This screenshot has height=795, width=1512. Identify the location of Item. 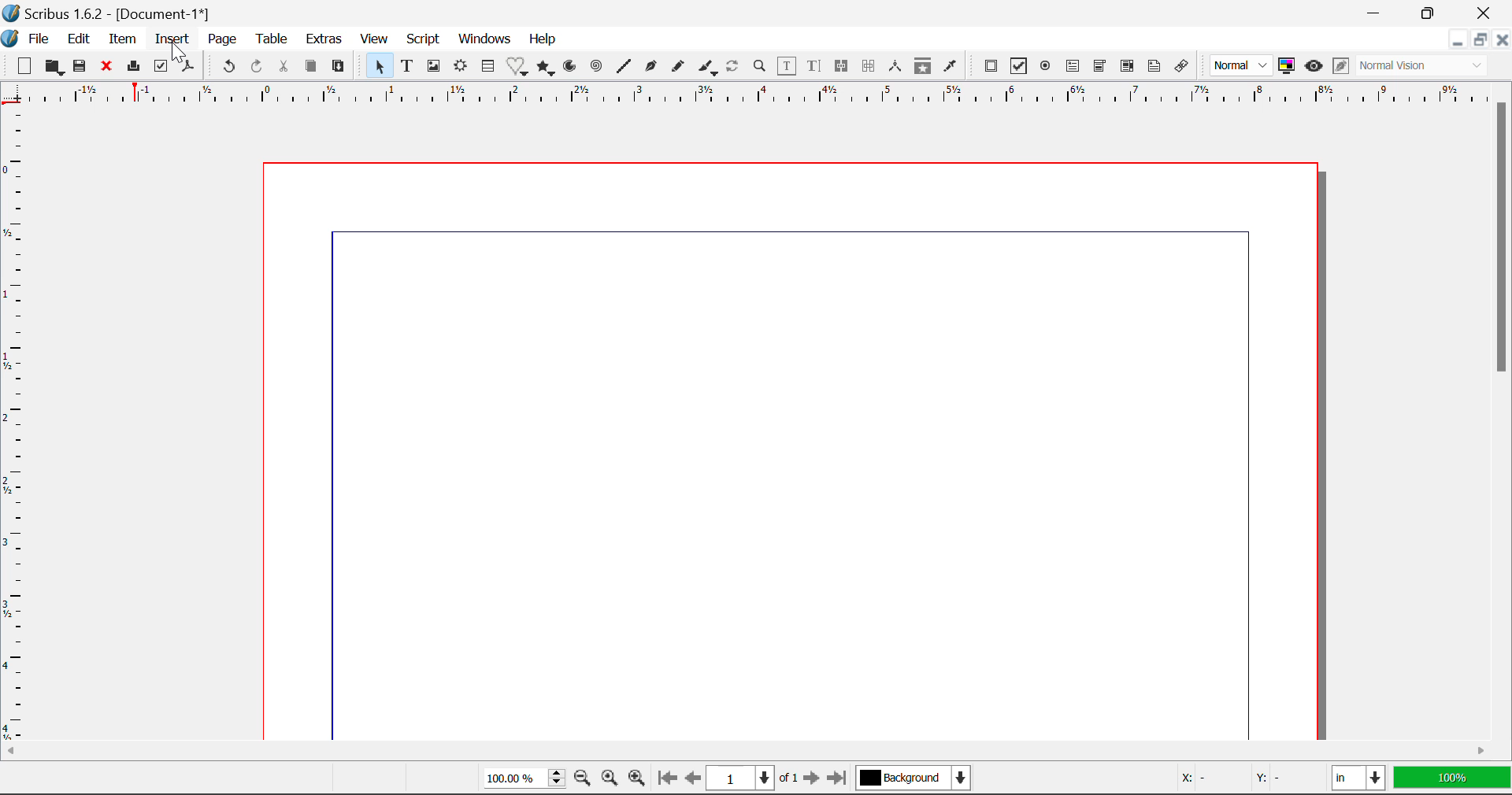
(123, 40).